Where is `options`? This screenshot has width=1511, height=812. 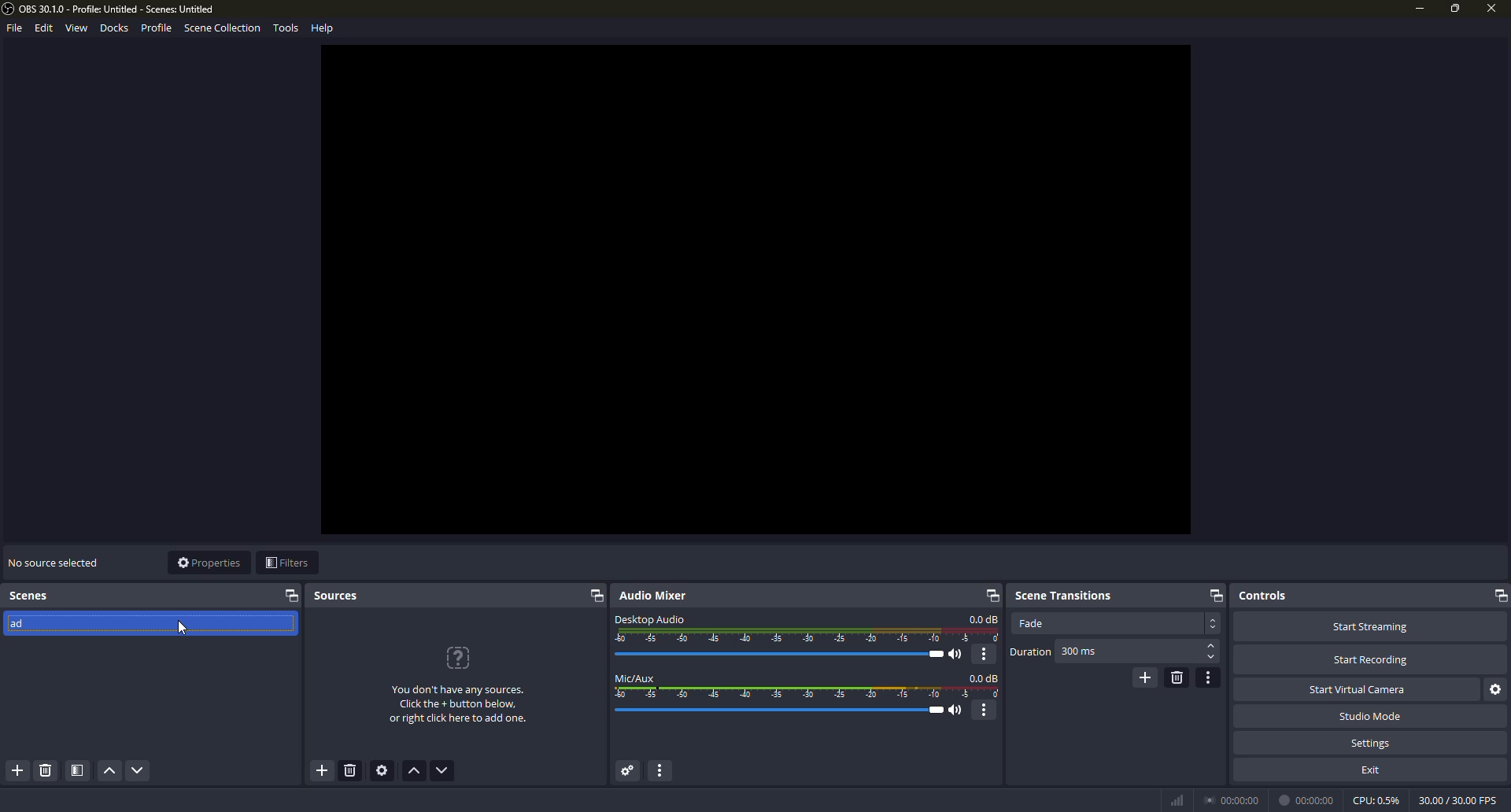
options is located at coordinates (986, 710).